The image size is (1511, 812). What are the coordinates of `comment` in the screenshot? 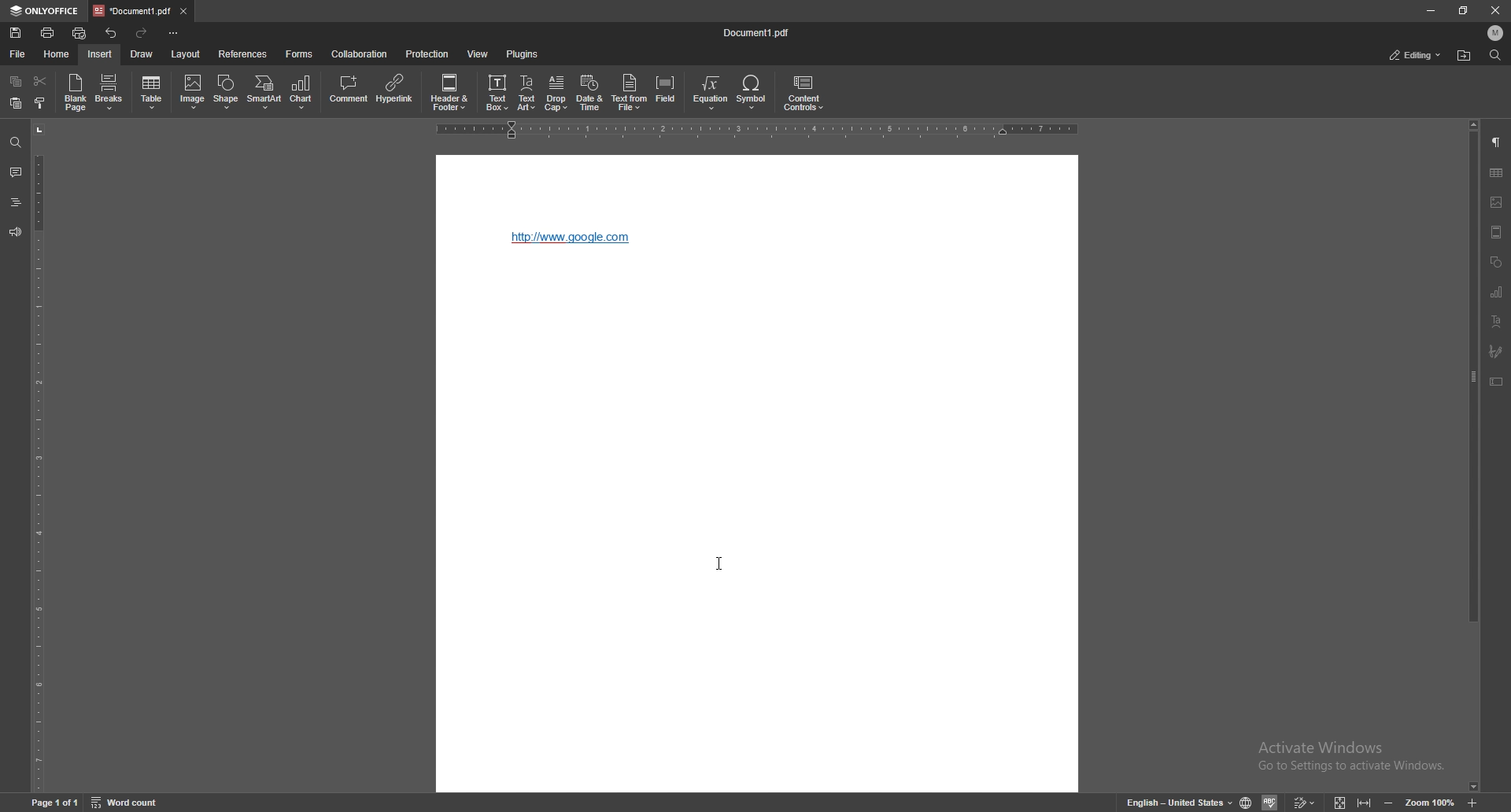 It's located at (350, 90).